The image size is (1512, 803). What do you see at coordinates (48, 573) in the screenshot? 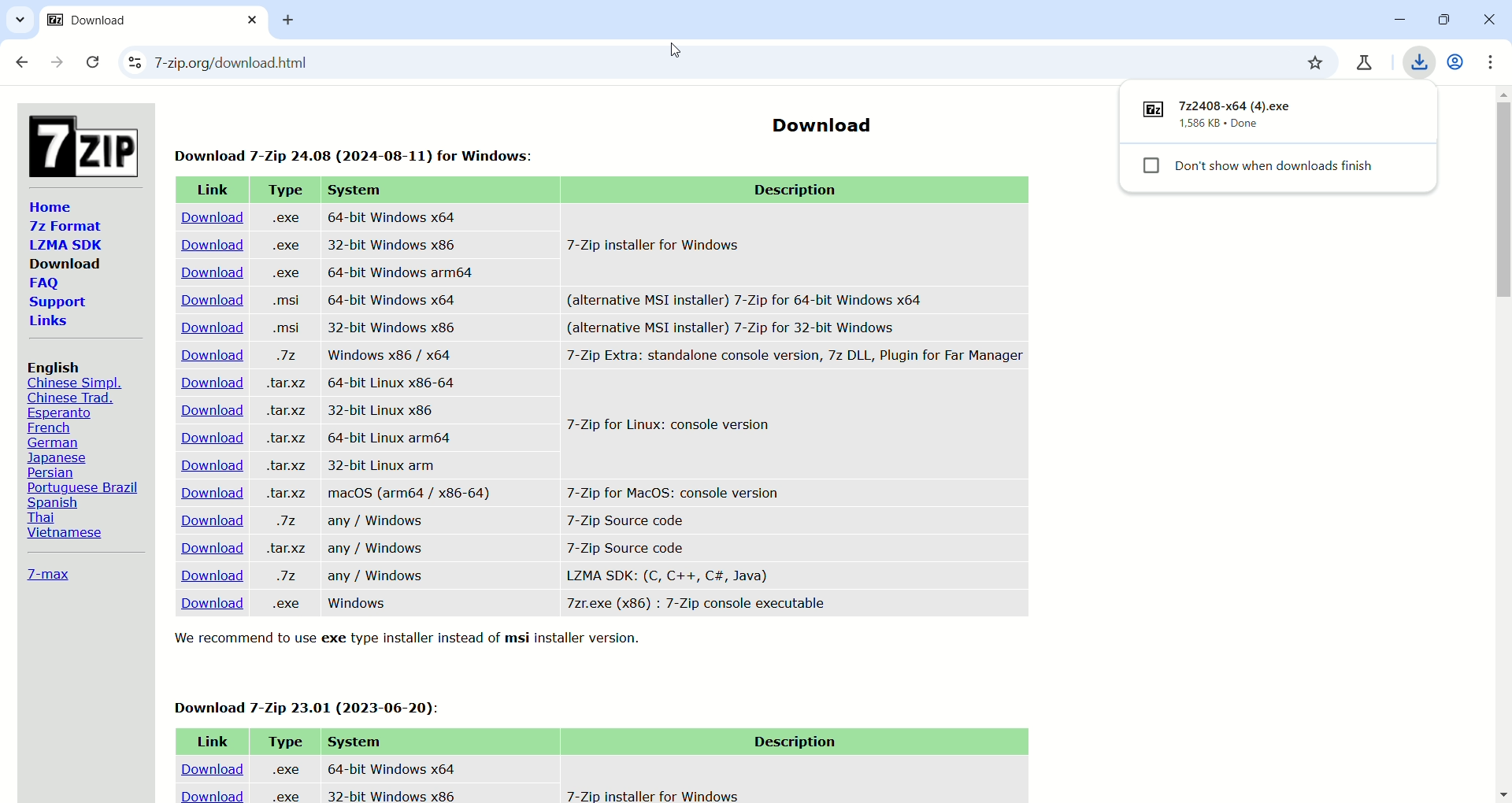
I see `7-max` at bounding box center [48, 573].